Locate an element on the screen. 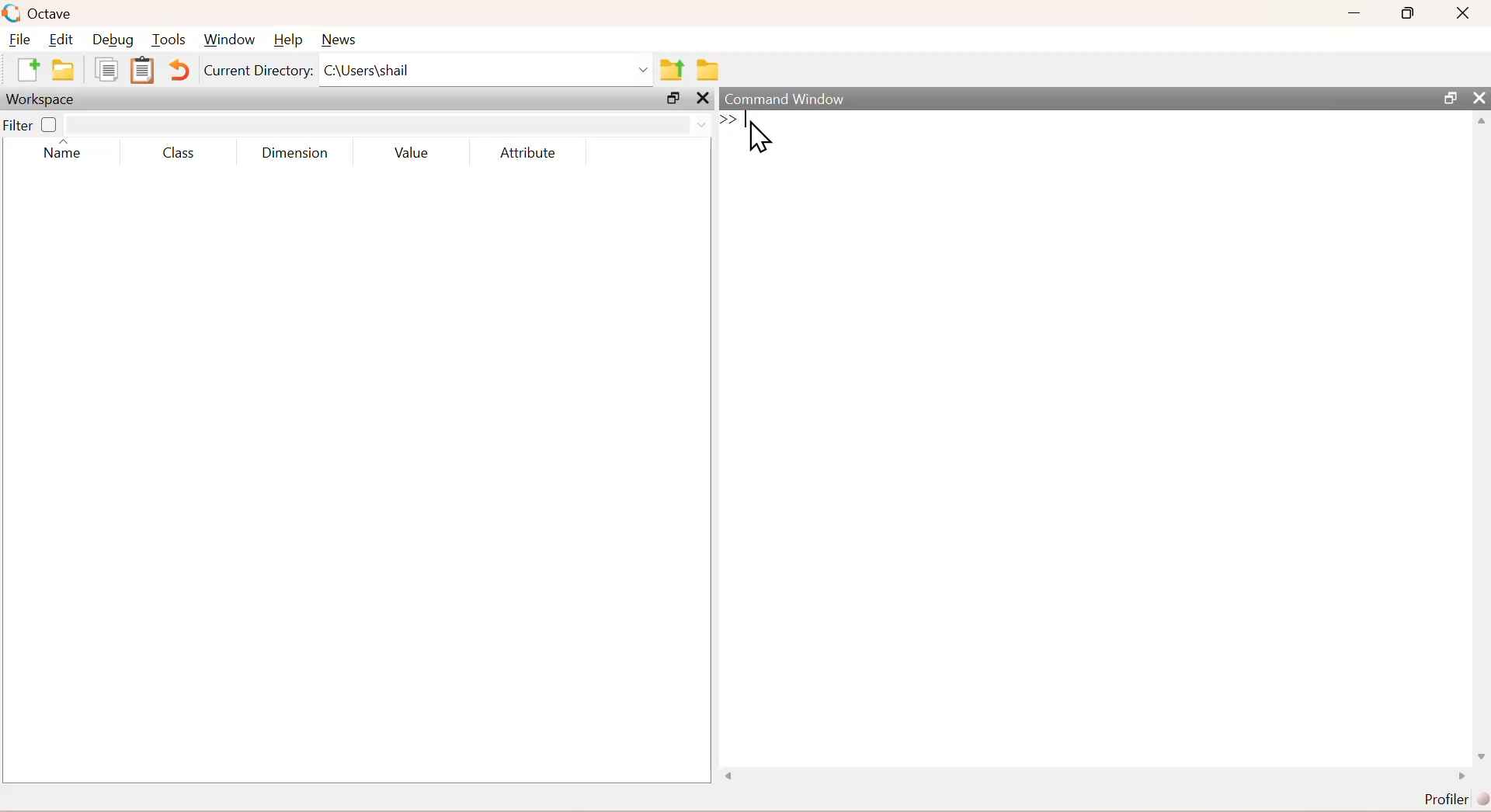 The width and height of the screenshot is (1491, 812). Prompt cursor is located at coordinates (731, 122).